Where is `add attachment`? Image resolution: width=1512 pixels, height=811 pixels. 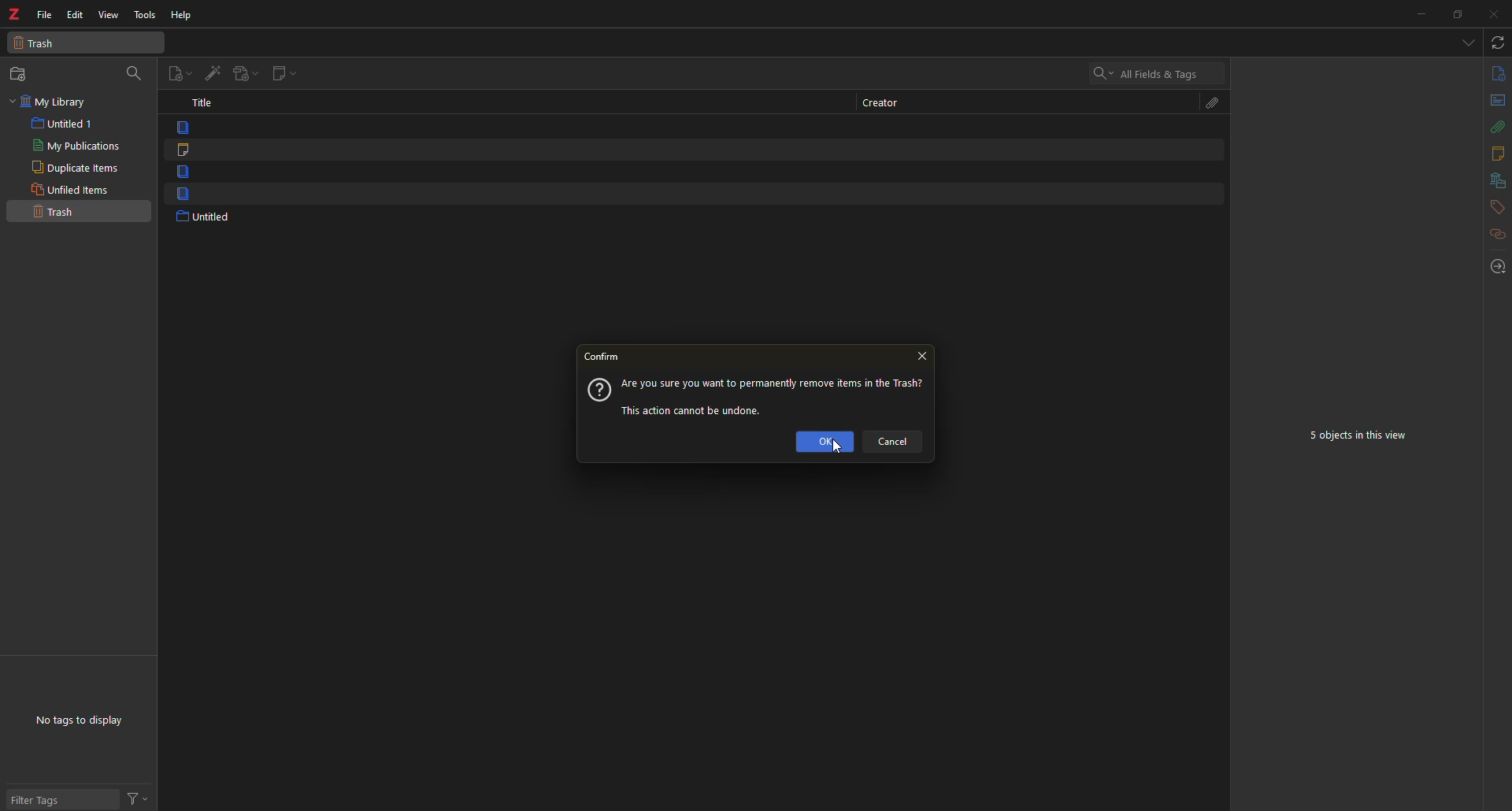
add attachment is located at coordinates (243, 73).